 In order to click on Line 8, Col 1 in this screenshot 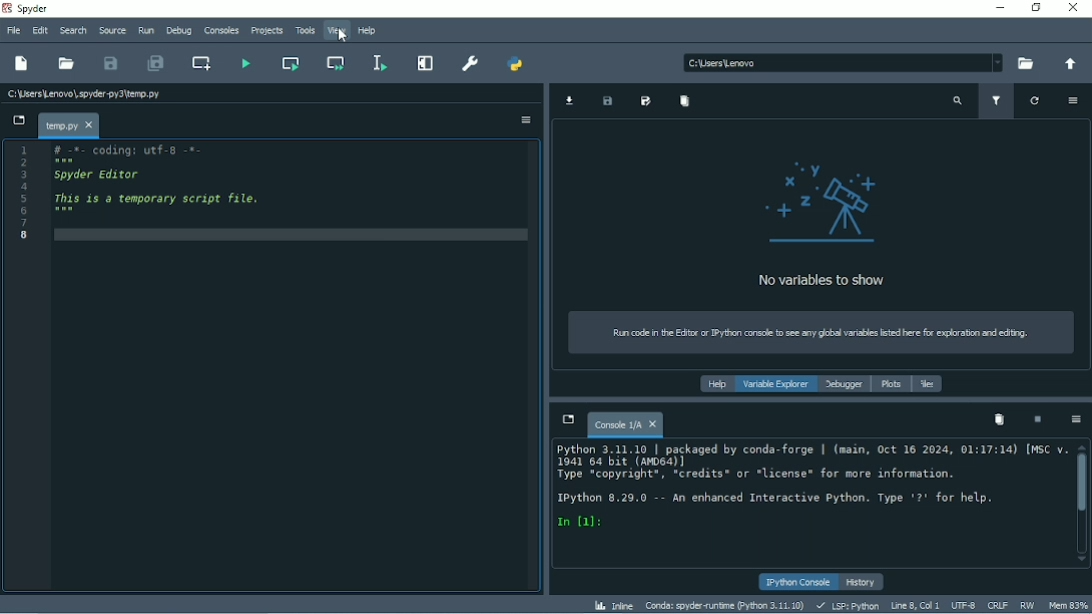, I will do `click(912, 606)`.